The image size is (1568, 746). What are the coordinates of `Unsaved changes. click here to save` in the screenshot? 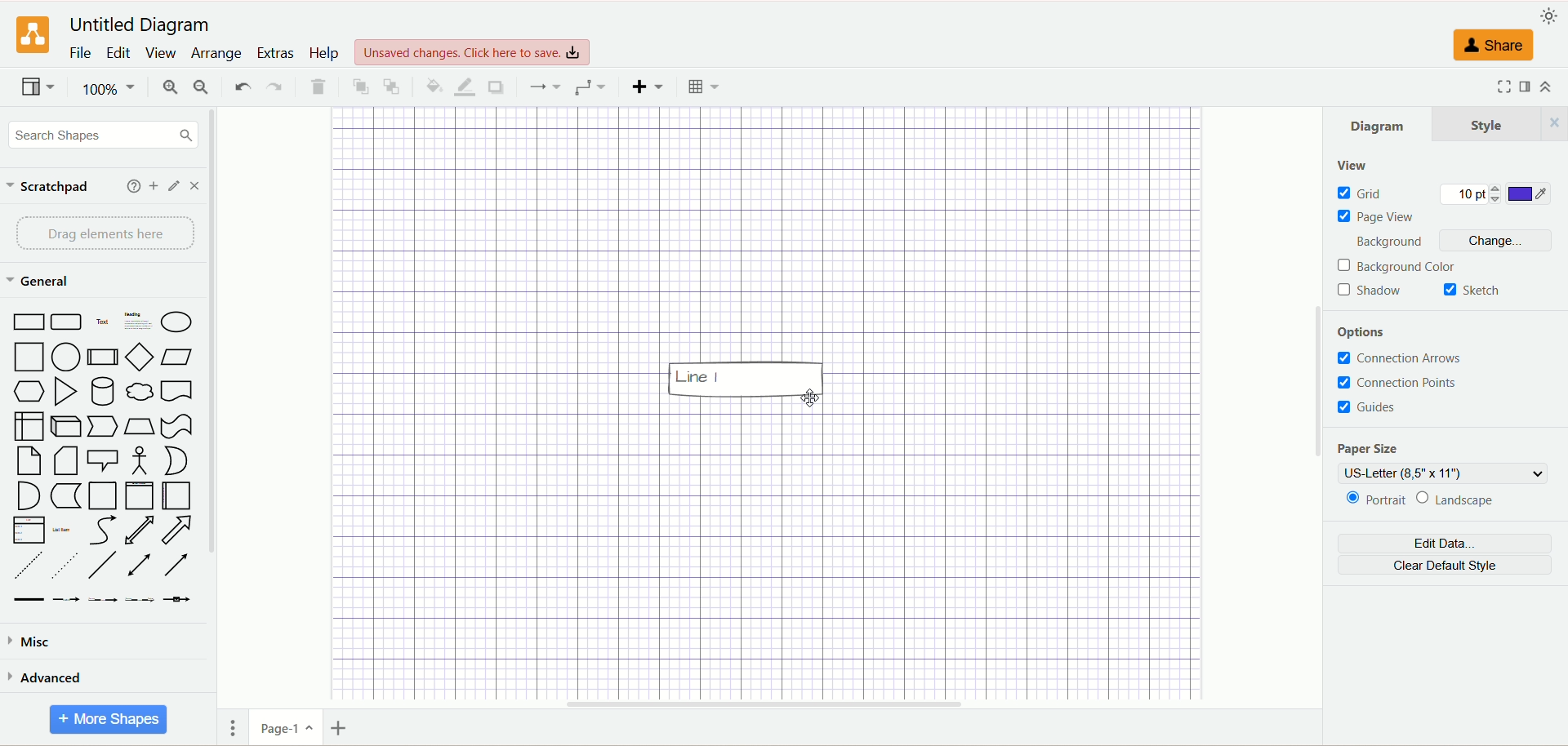 It's located at (472, 53).